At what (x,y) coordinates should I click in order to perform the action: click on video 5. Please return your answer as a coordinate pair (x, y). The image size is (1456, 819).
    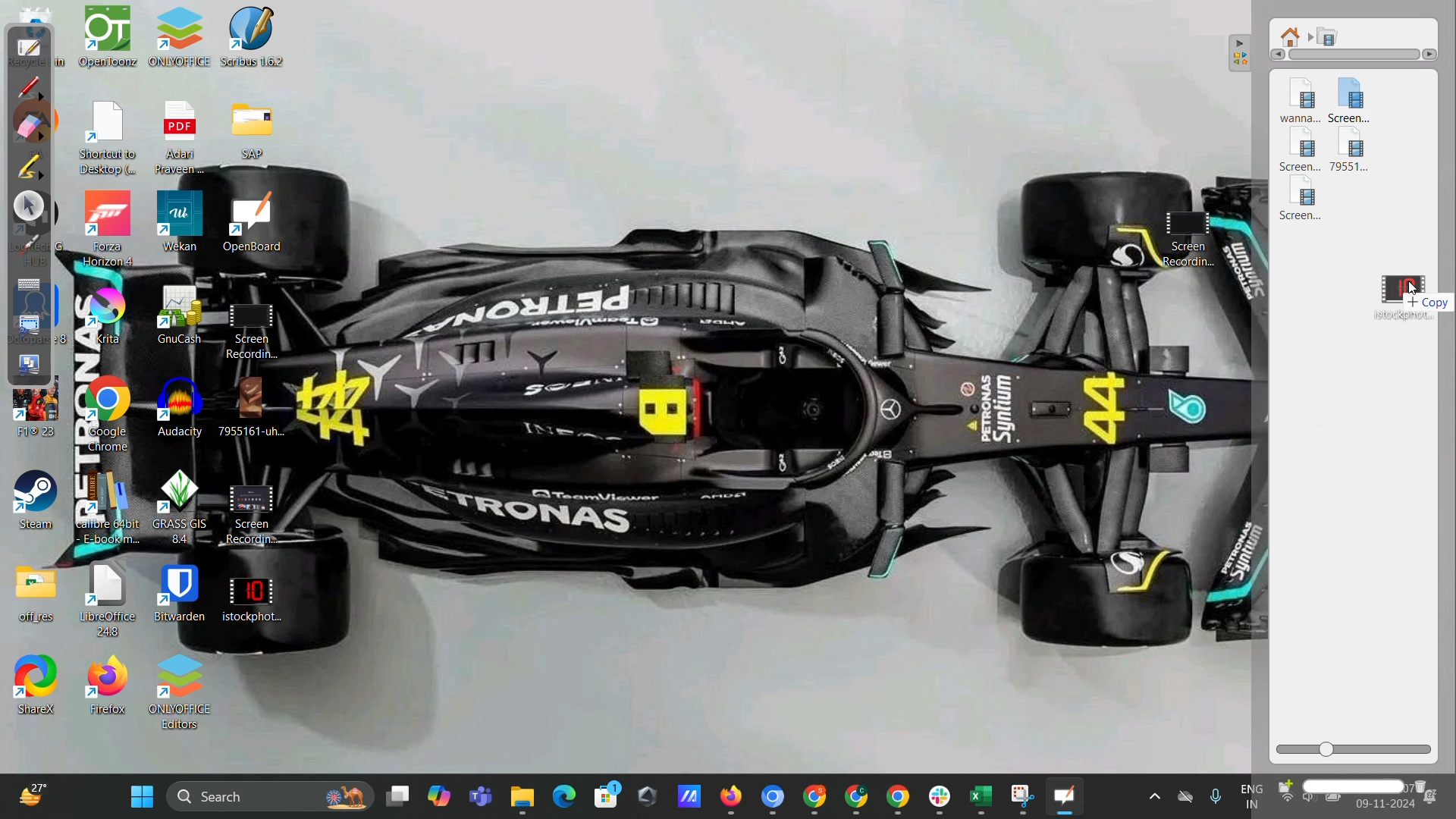
    Looking at the image, I should click on (1301, 201).